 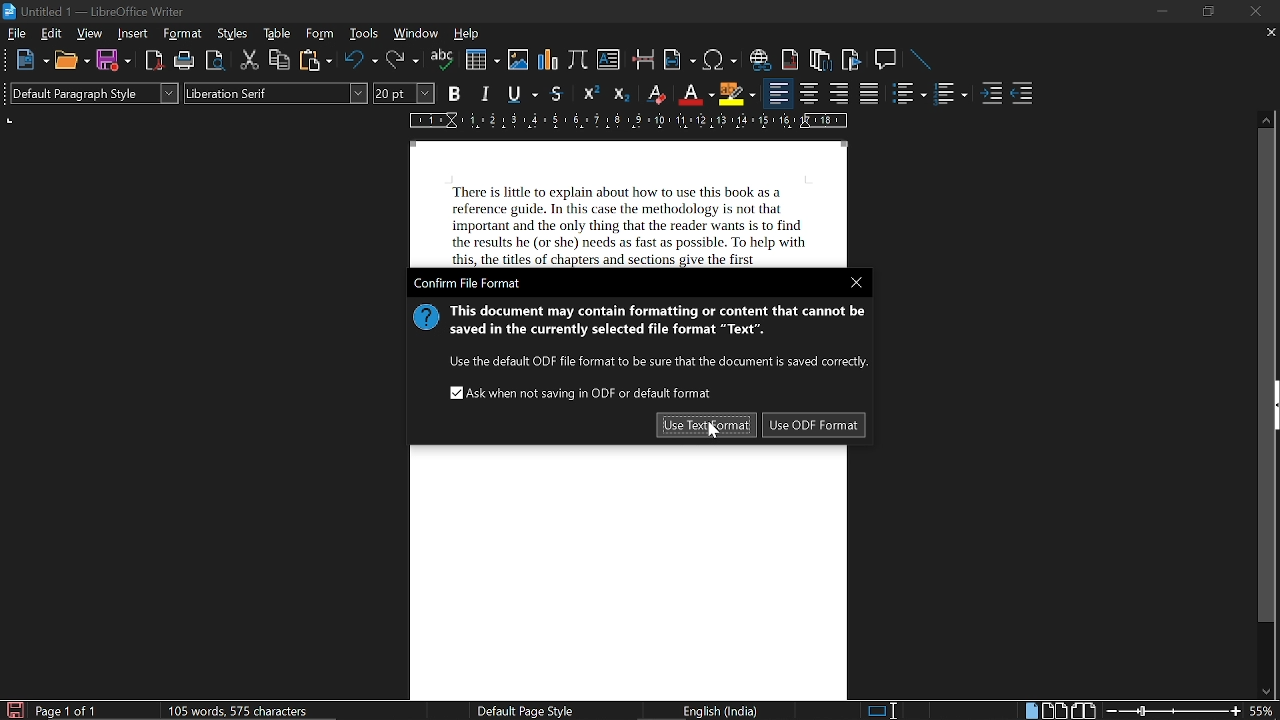 I want to click on use text format, so click(x=706, y=425).